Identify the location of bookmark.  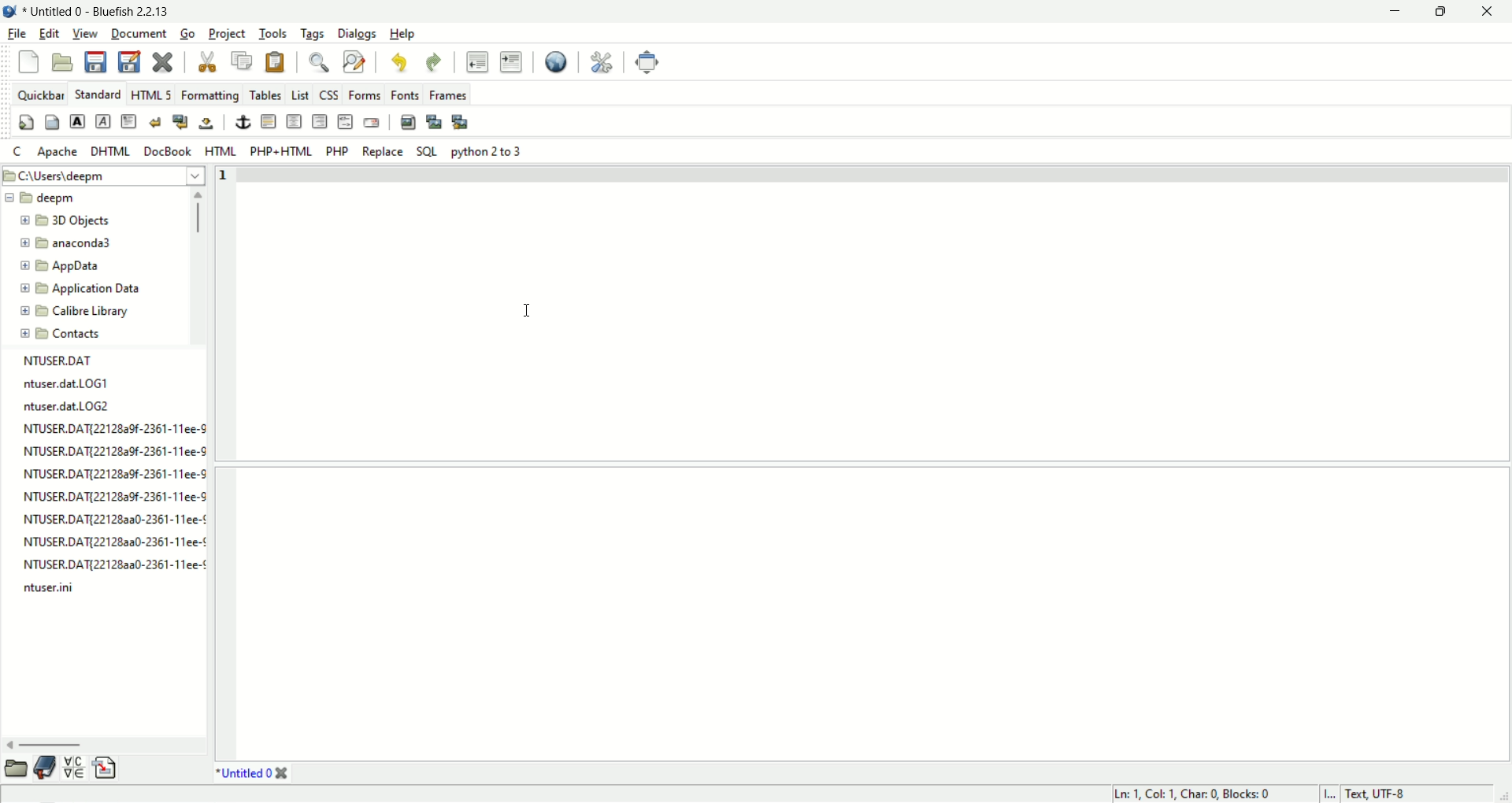
(48, 769).